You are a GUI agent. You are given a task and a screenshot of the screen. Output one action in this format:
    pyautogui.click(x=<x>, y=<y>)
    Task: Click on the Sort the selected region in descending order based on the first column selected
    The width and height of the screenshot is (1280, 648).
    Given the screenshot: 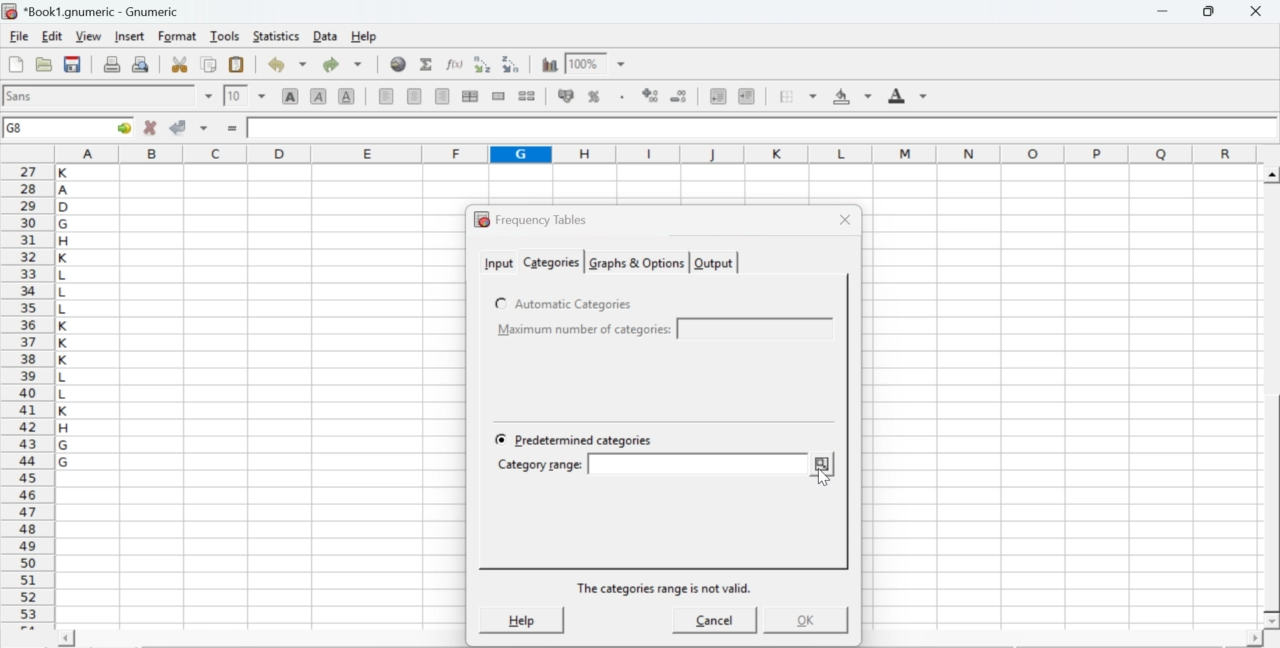 What is the action you would take?
    pyautogui.click(x=512, y=62)
    